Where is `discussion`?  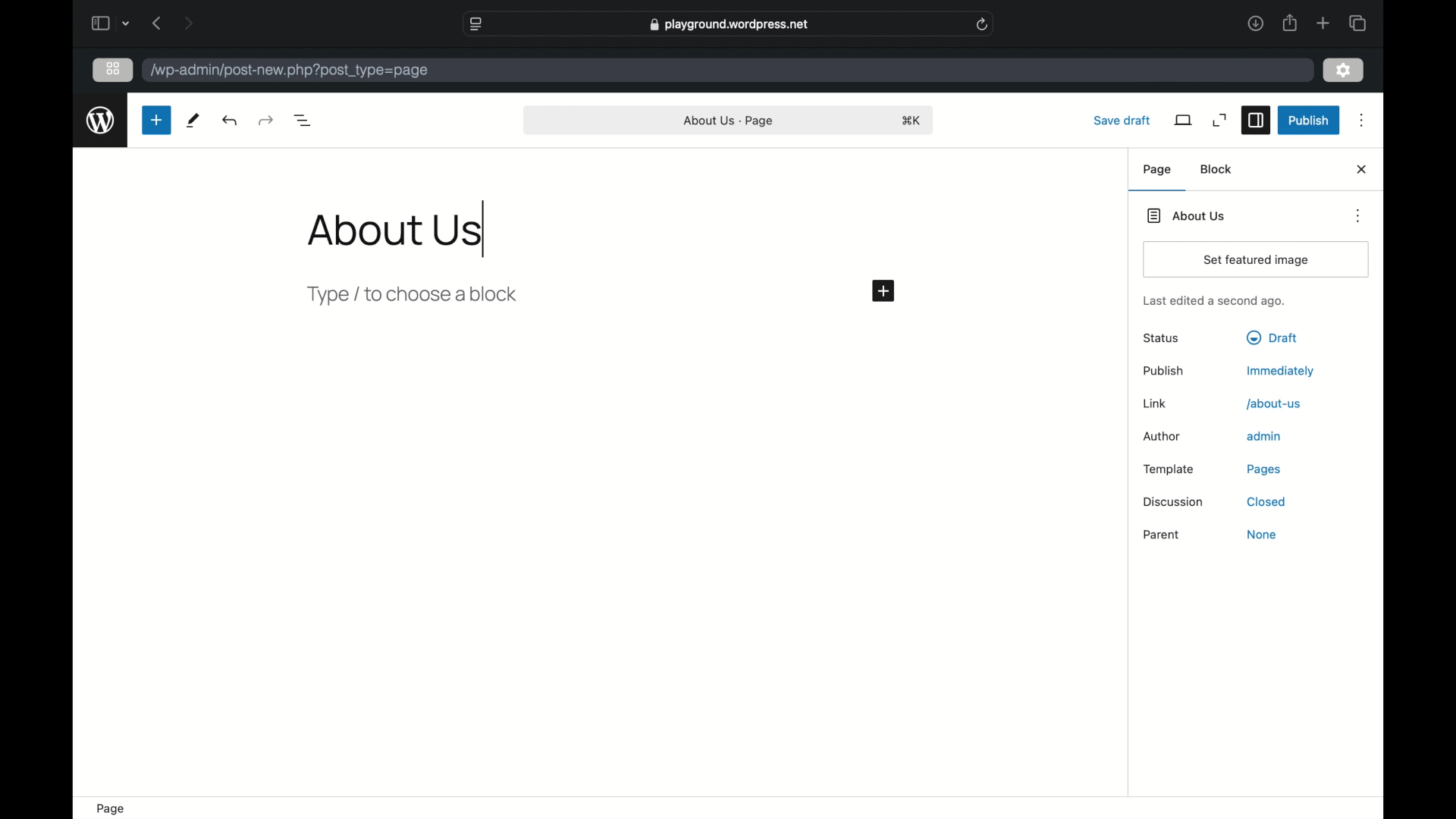 discussion is located at coordinates (1172, 502).